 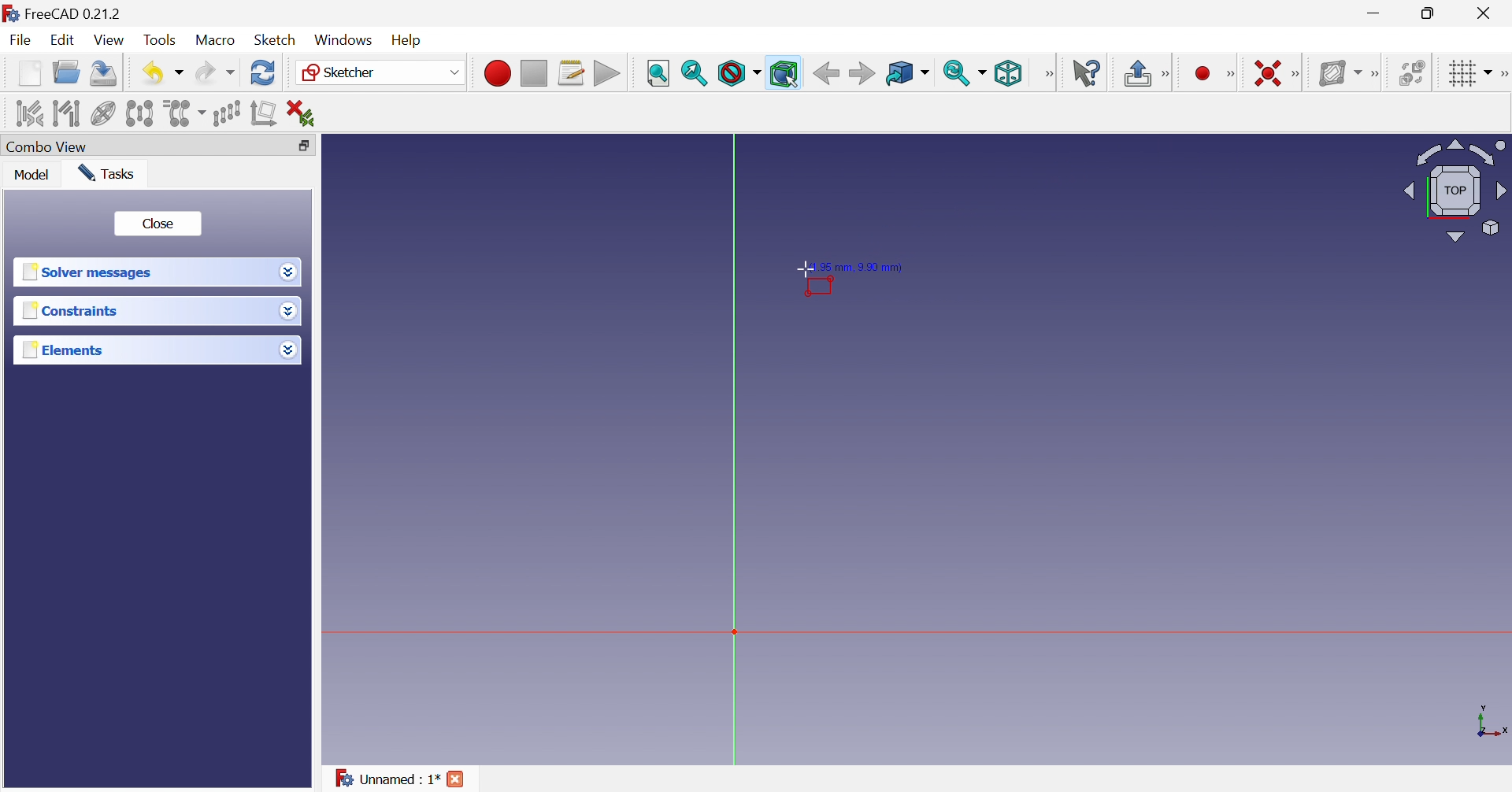 What do you see at coordinates (607, 74) in the screenshot?
I see `Execute macro` at bounding box center [607, 74].